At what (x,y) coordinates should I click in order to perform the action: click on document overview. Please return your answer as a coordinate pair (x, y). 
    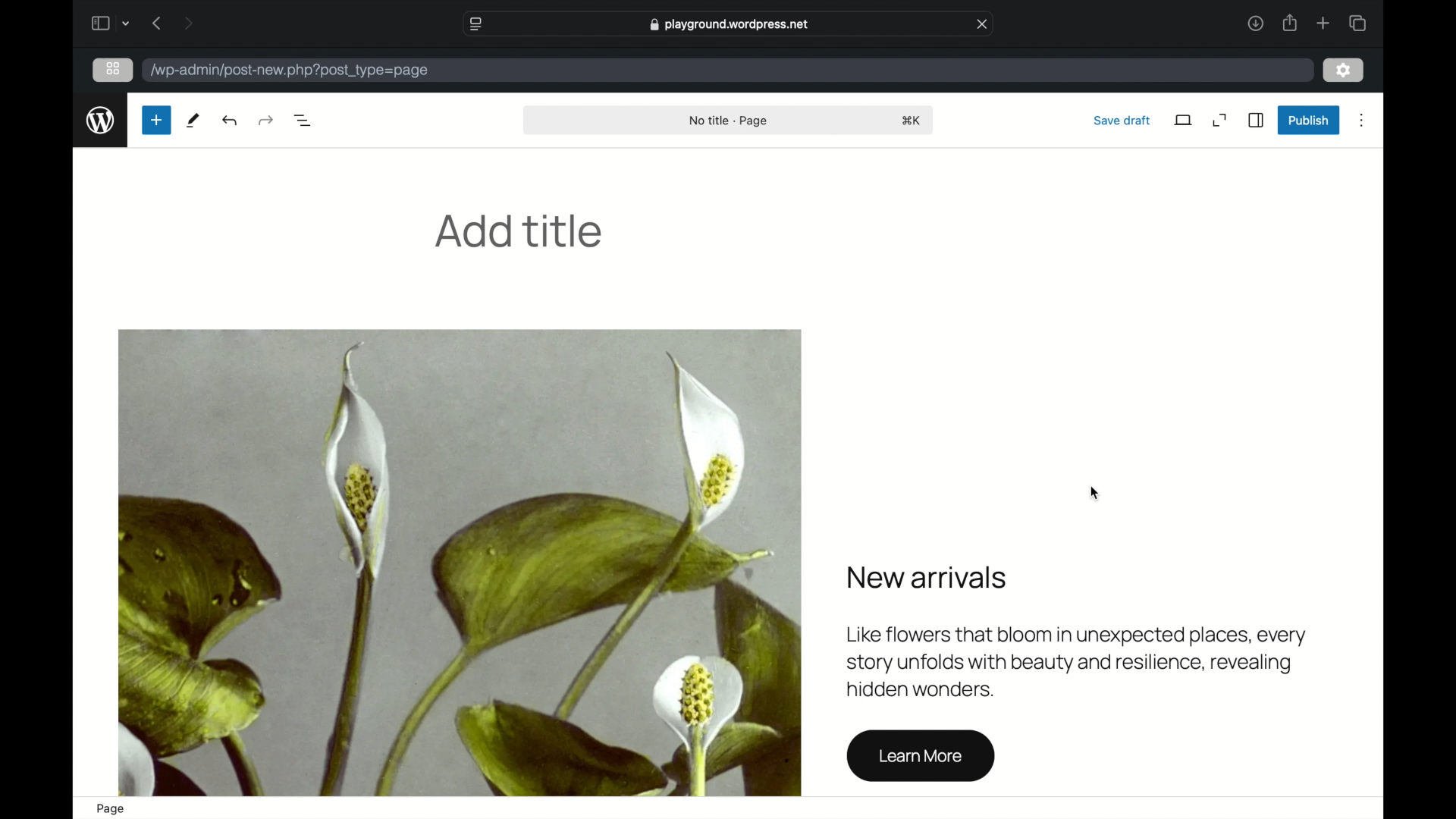
    Looking at the image, I should click on (304, 119).